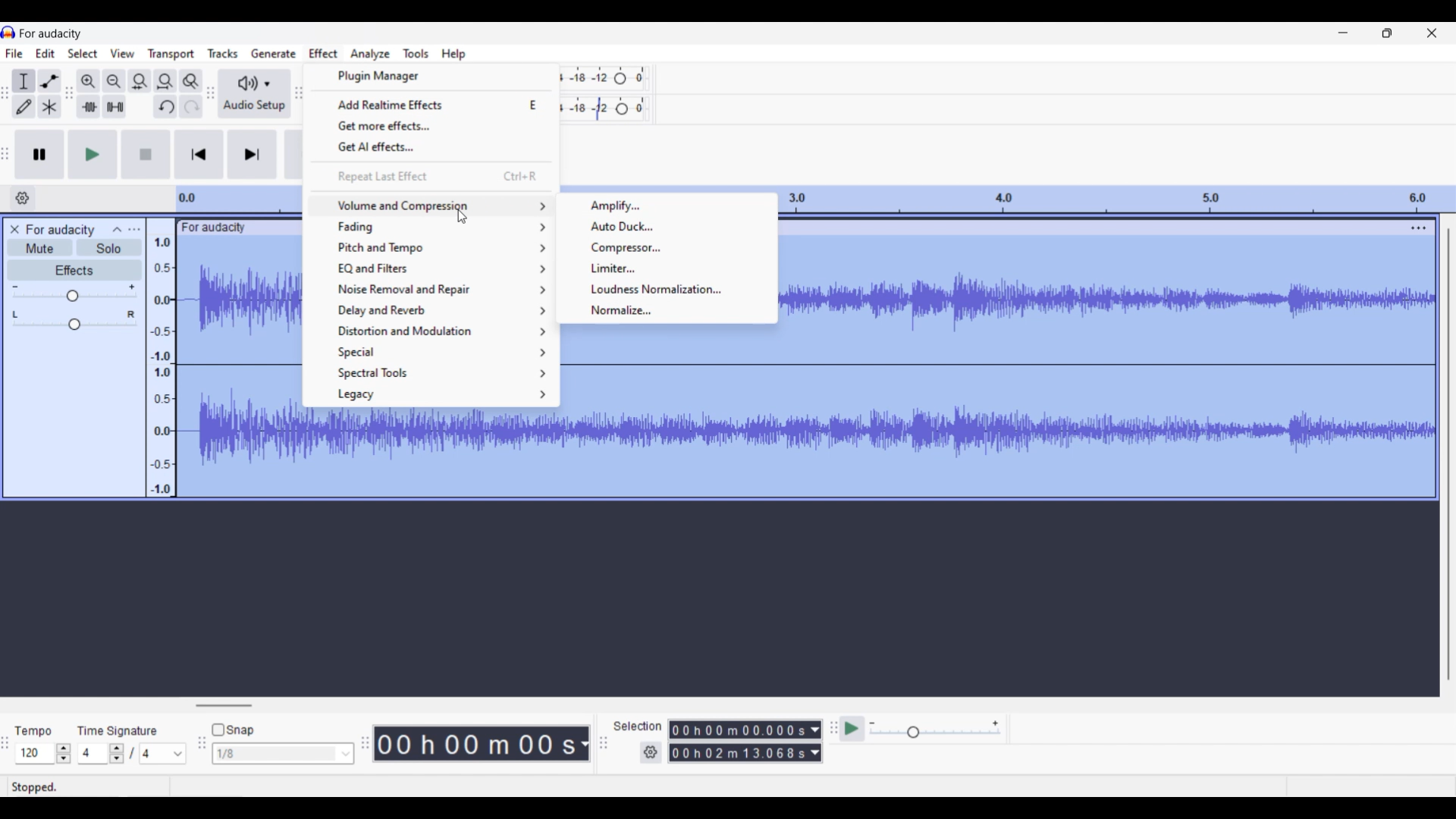 This screenshot has width=1456, height=819. I want to click on Timeline options, so click(22, 198).